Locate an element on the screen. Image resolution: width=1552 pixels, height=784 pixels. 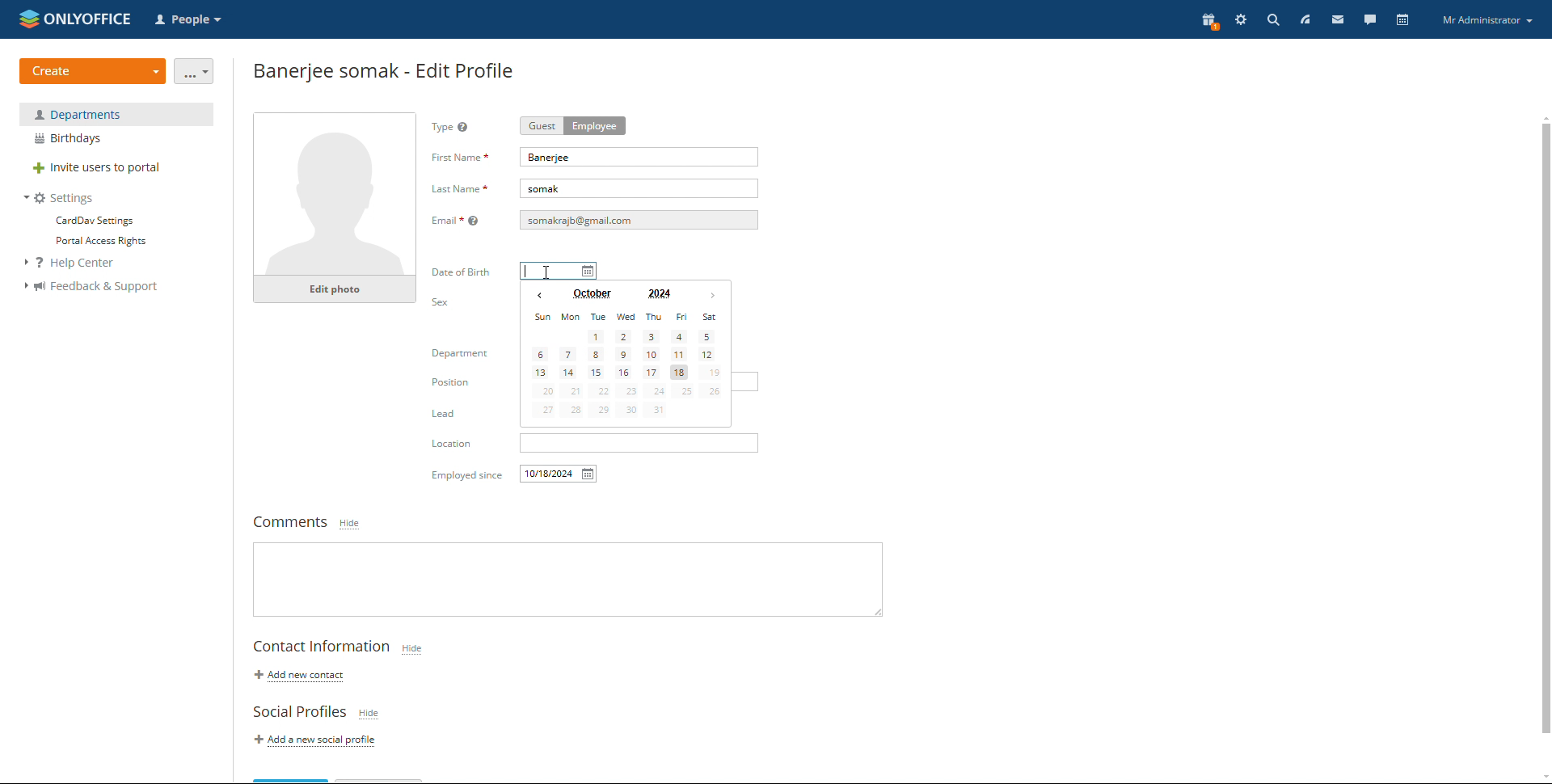
contact information is located at coordinates (322, 647).